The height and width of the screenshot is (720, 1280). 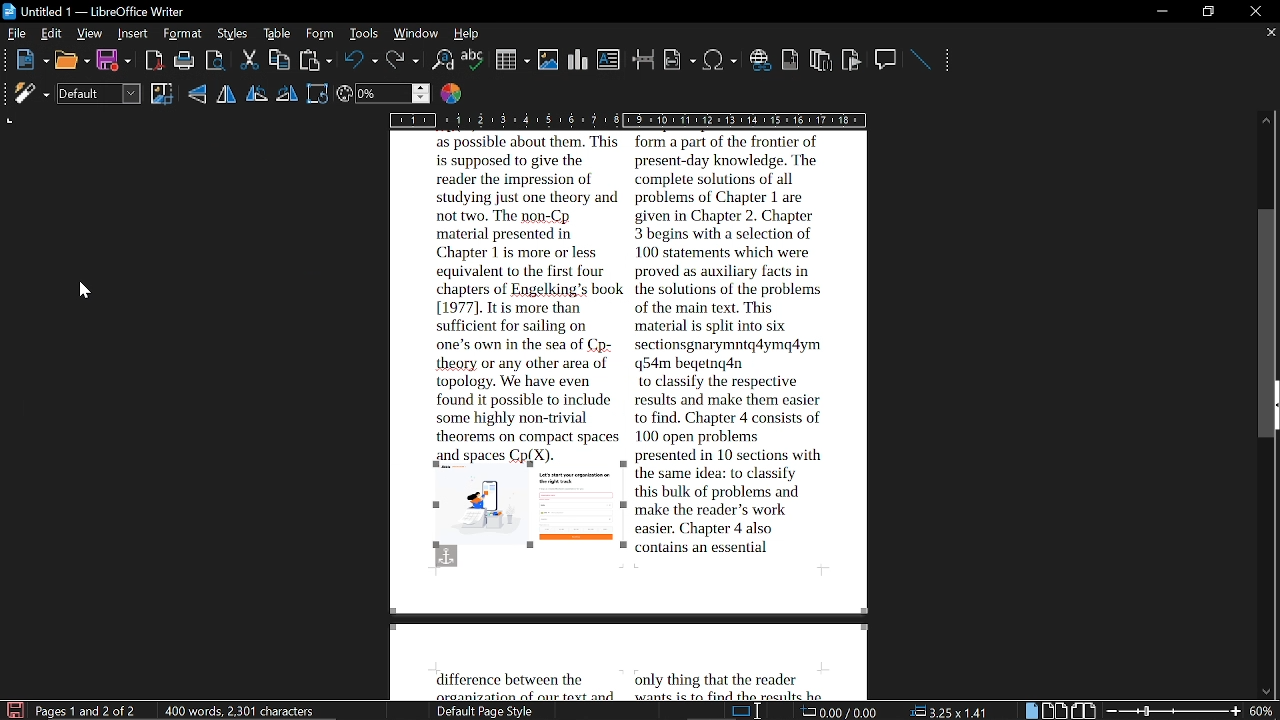 What do you see at coordinates (214, 61) in the screenshot?
I see `export` at bounding box center [214, 61].